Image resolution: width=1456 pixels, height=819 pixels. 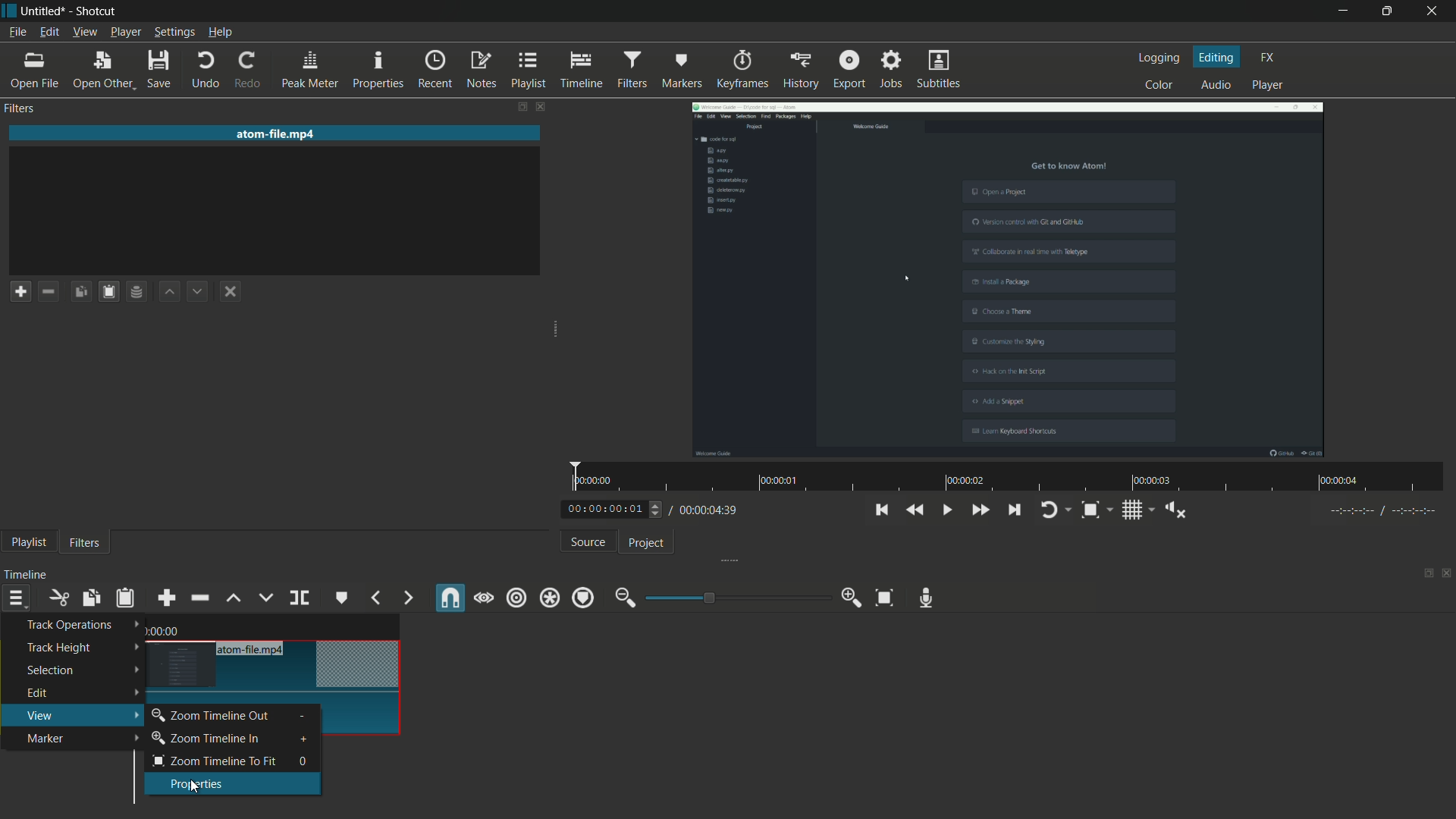 What do you see at coordinates (1013, 509) in the screenshot?
I see `skip to the next point` at bounding box center [1013, 509].